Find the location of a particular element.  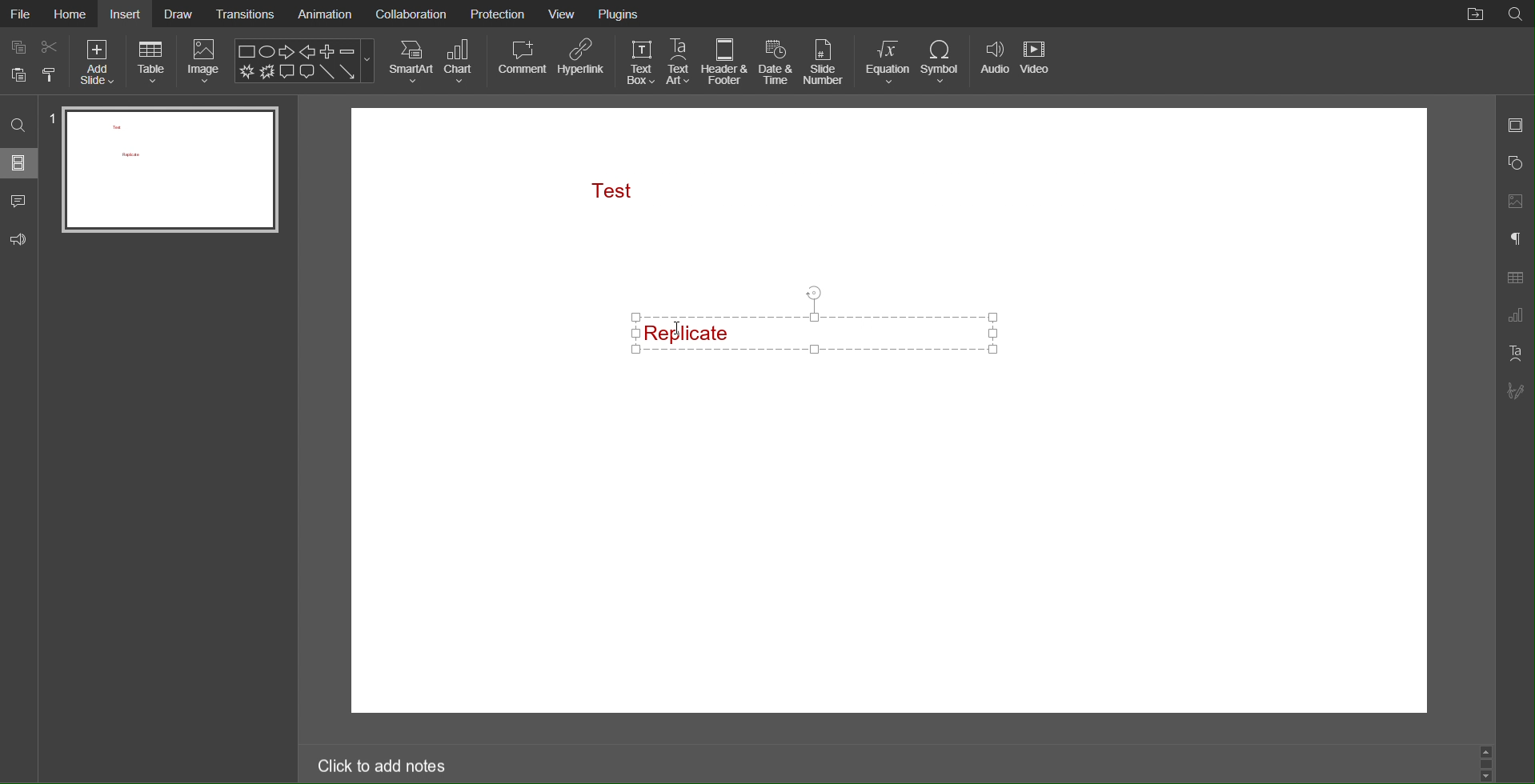

SmartArt is located at coordinates (411, 62).